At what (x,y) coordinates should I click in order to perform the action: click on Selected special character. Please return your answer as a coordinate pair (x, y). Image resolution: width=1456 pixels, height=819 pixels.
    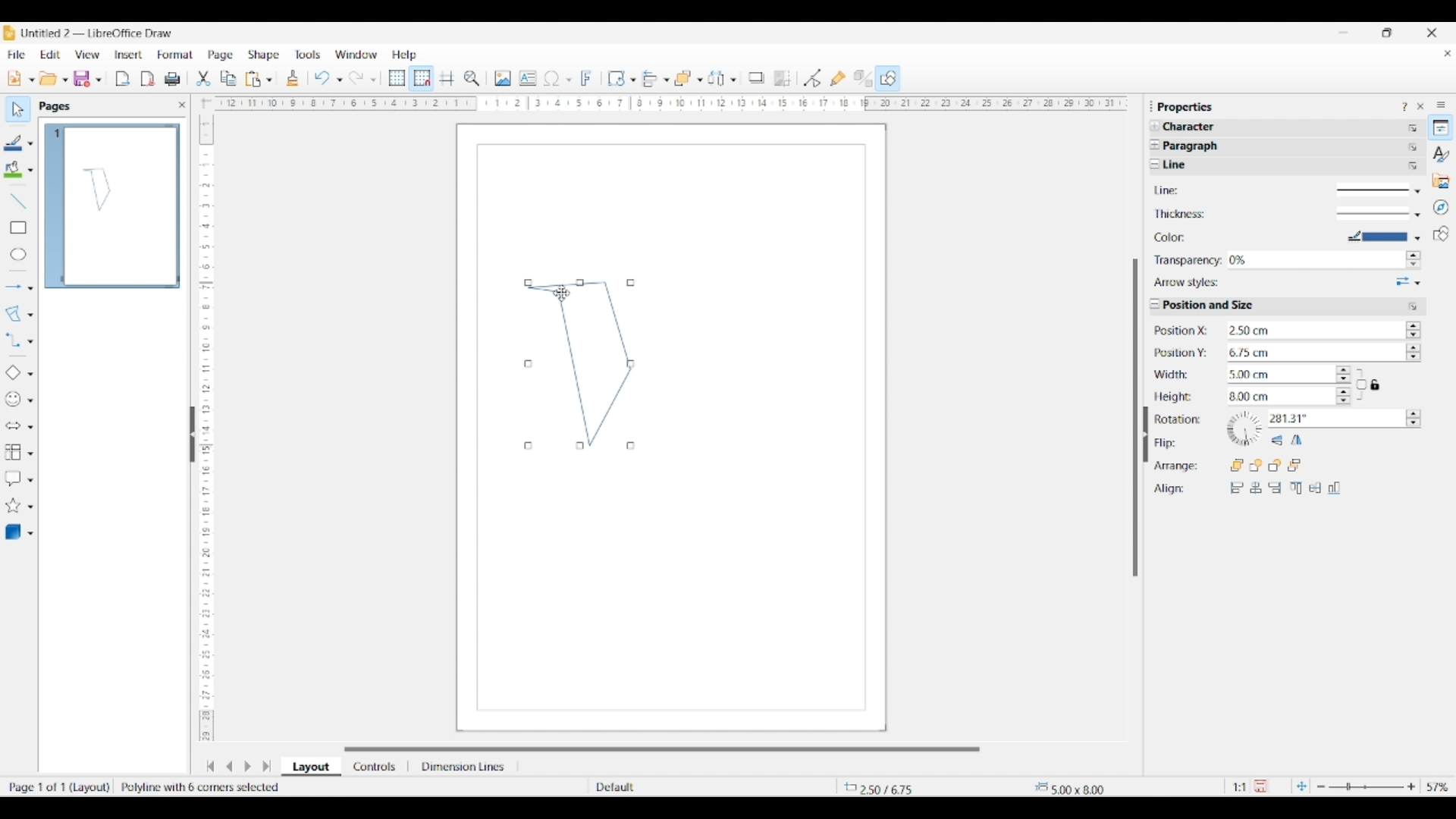
    Looking at the image, I should click on (552, 78).